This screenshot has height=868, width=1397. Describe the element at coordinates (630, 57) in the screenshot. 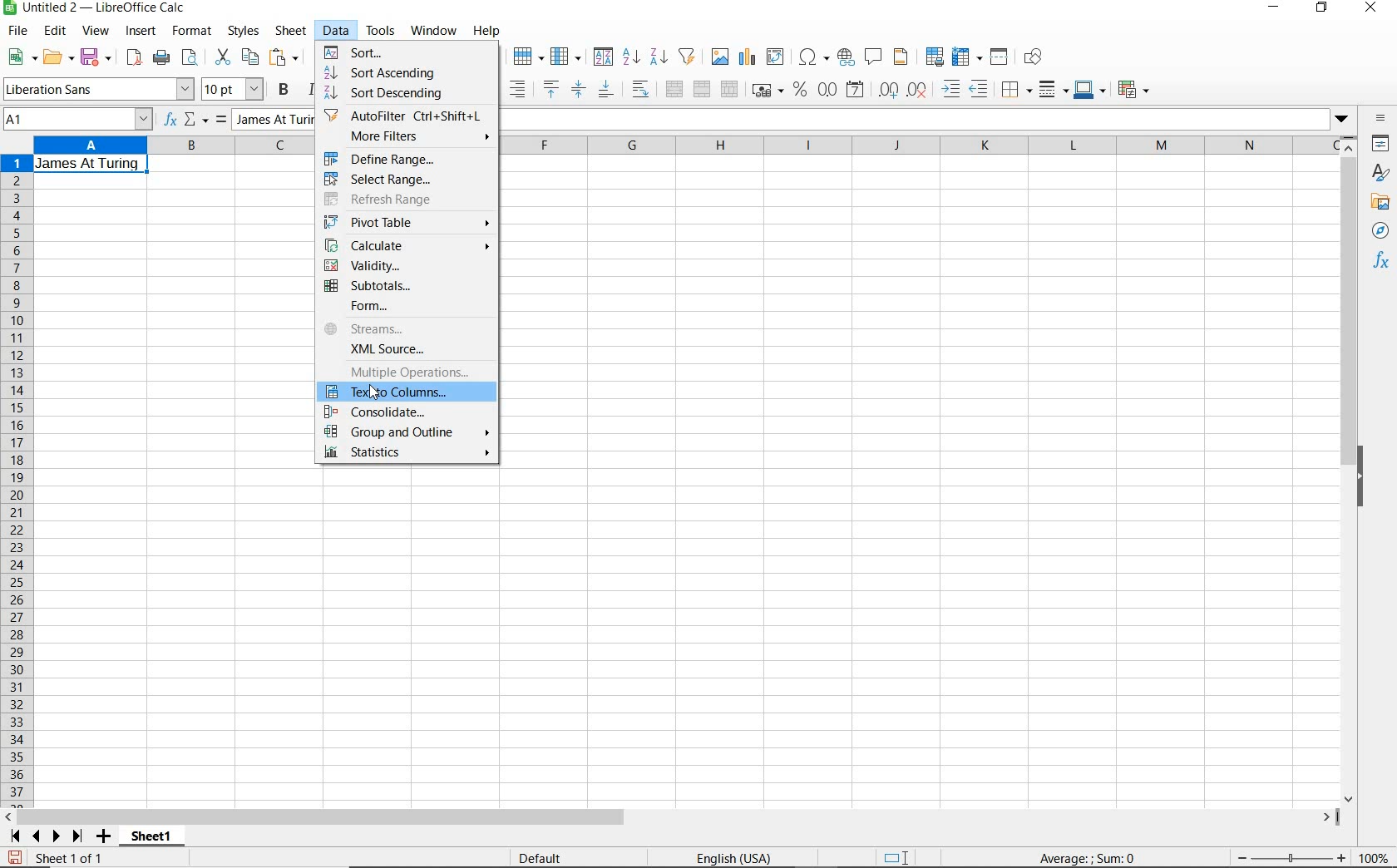

I see `sort ascending` at that location.